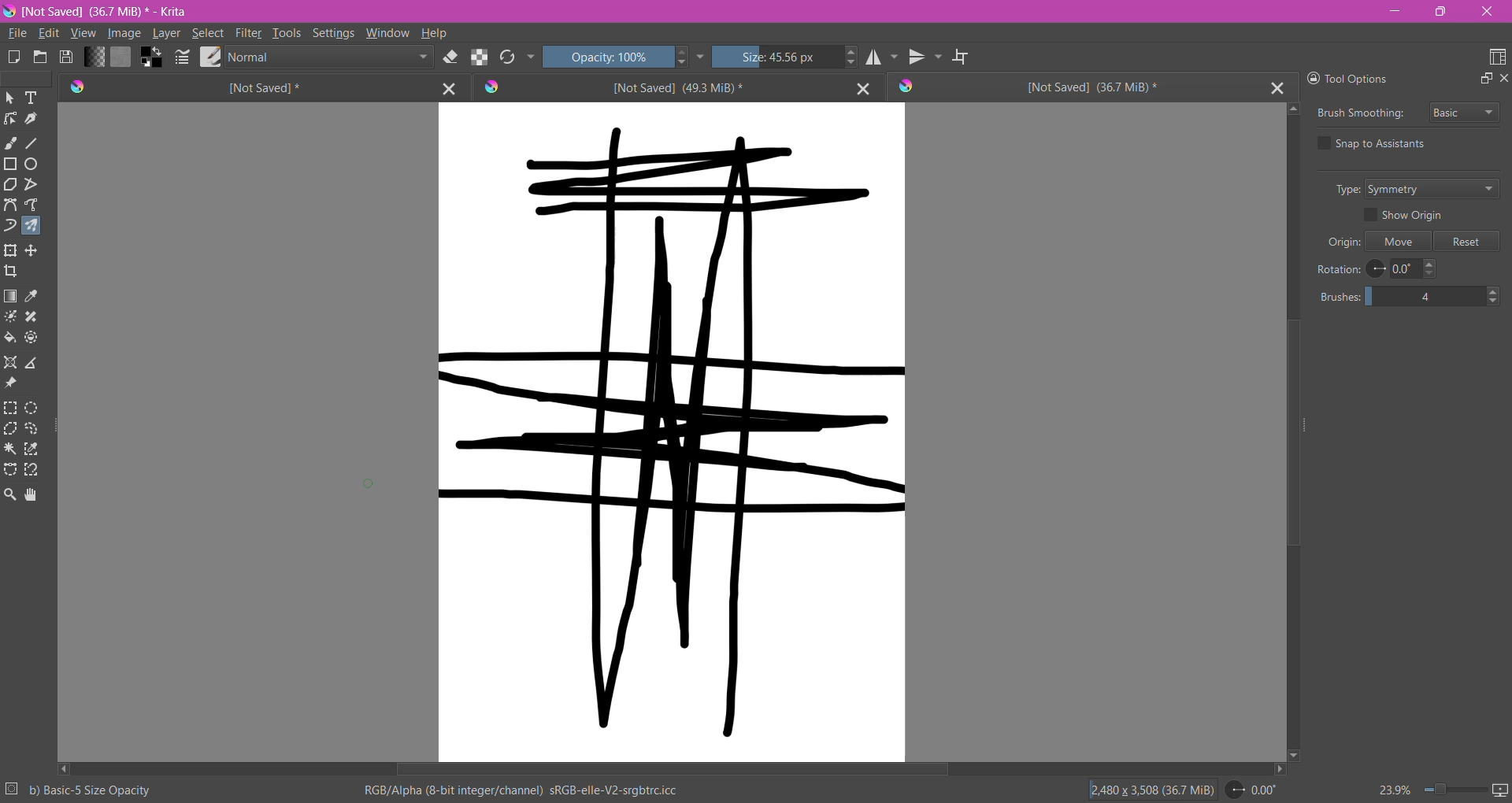 This screenshot has width=1512, height=803. Describe the element at coordinates (33, 204) in the screenshot. I see `Freehand Path Tool` at that location.